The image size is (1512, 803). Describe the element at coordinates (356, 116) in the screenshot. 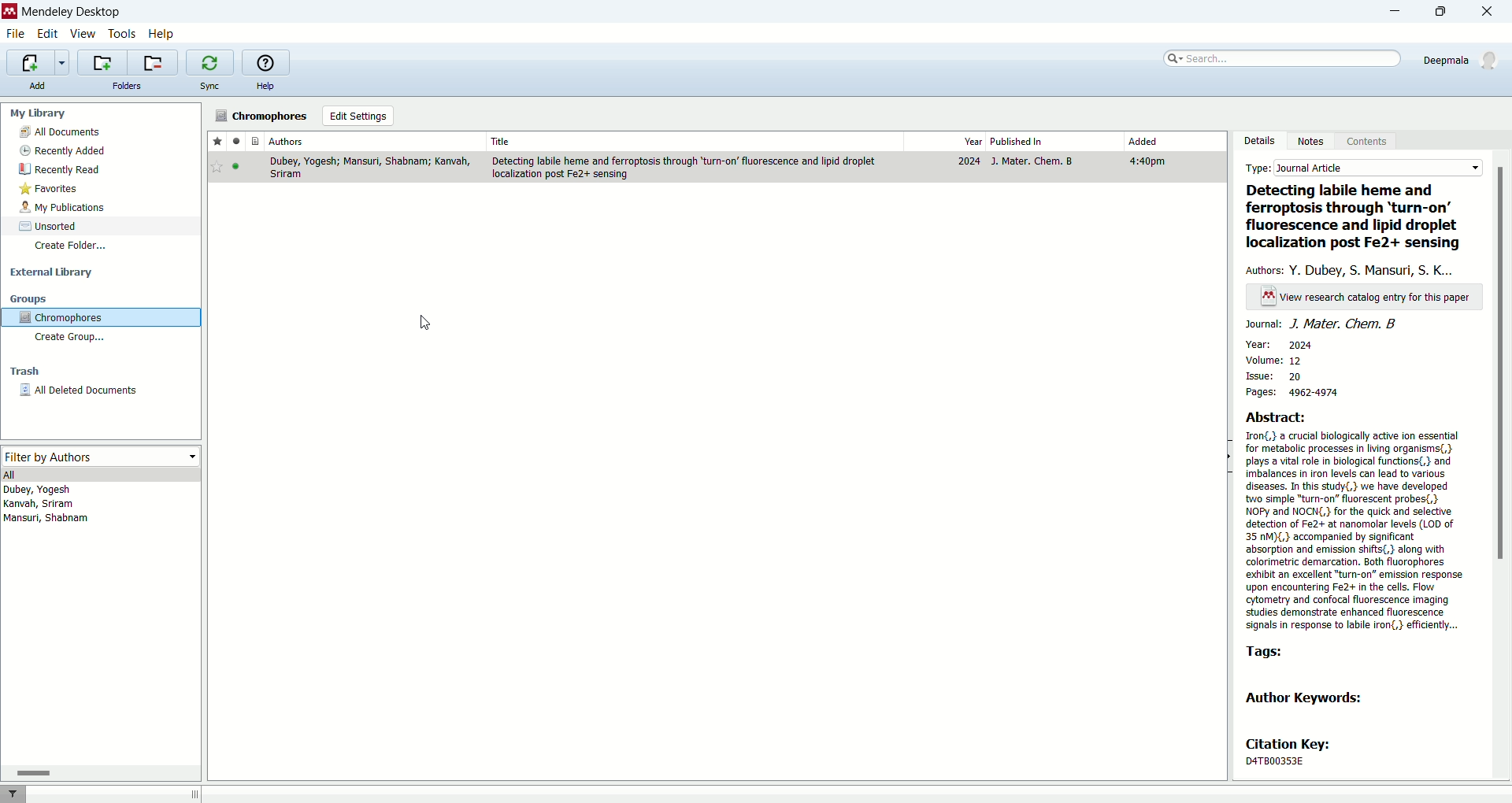

I see `edit settings` at that location.